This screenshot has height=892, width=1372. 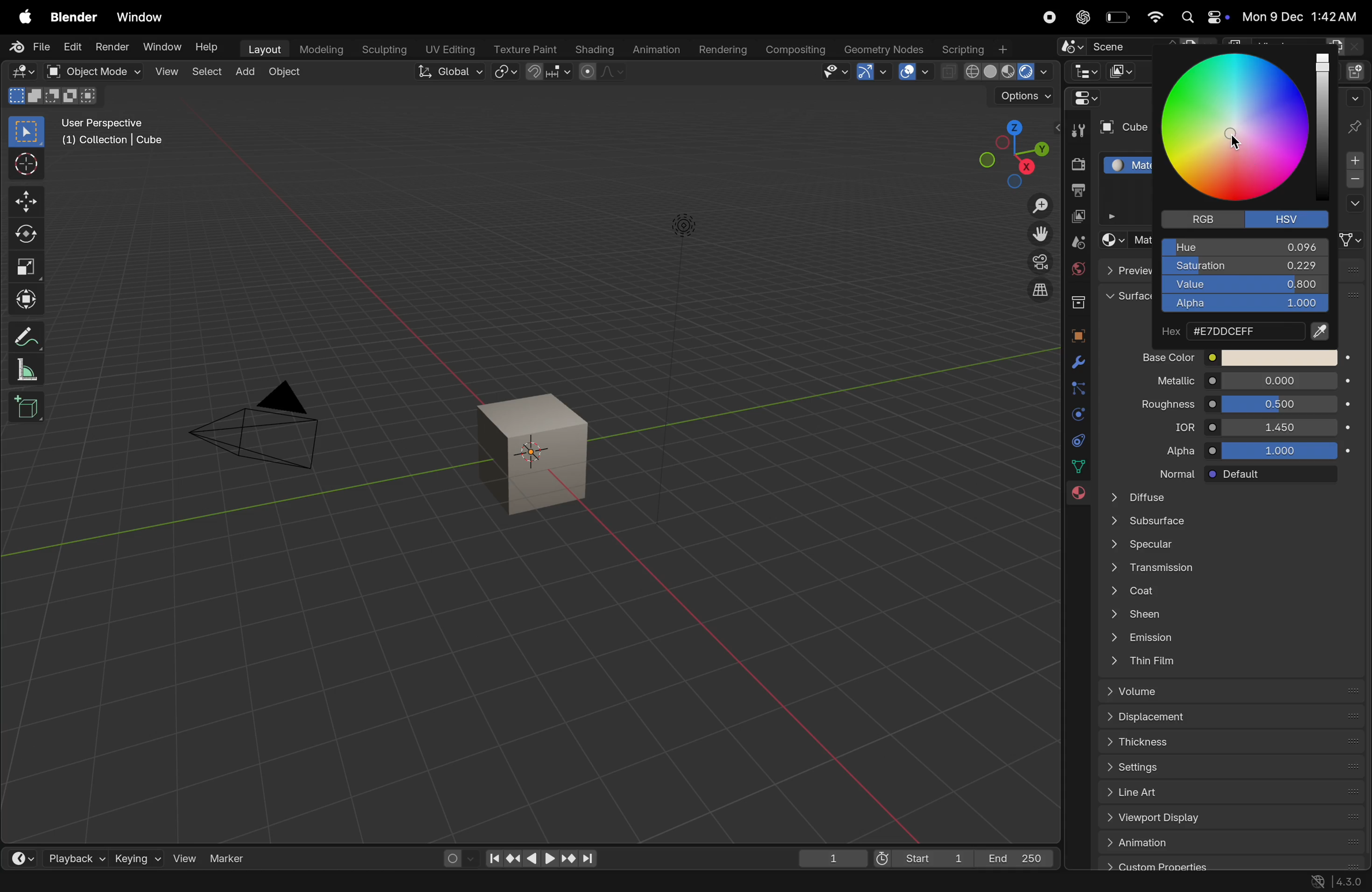 What do you see at coordinates (1038, 262) in the screenshot?
I see `toggle camera` at bounding box center [1038, 262].